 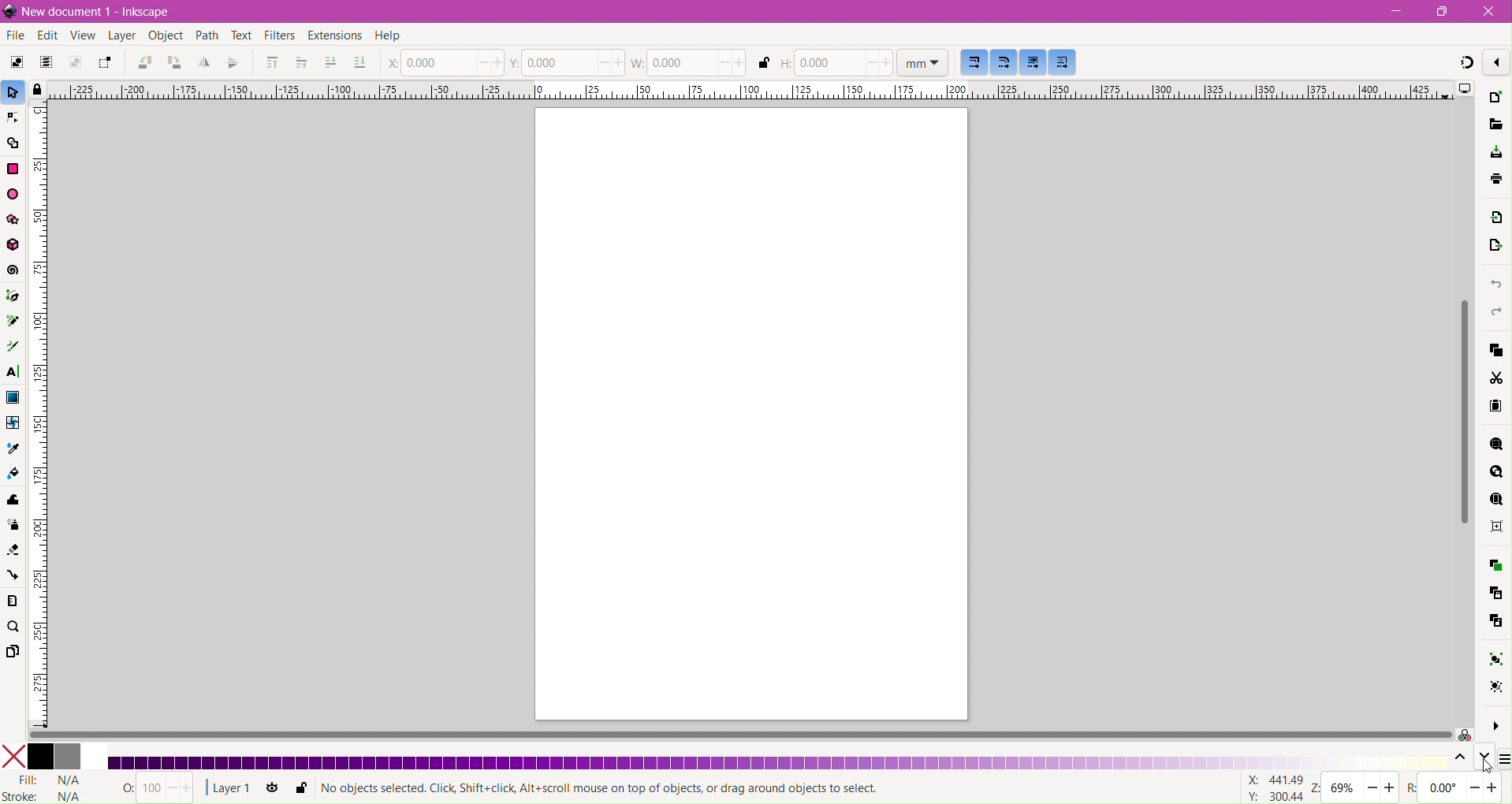 What do you see at coordinates (173, 64) in the screenshot?
I see `Object Rotate 90` at bounding box center [173, 64].